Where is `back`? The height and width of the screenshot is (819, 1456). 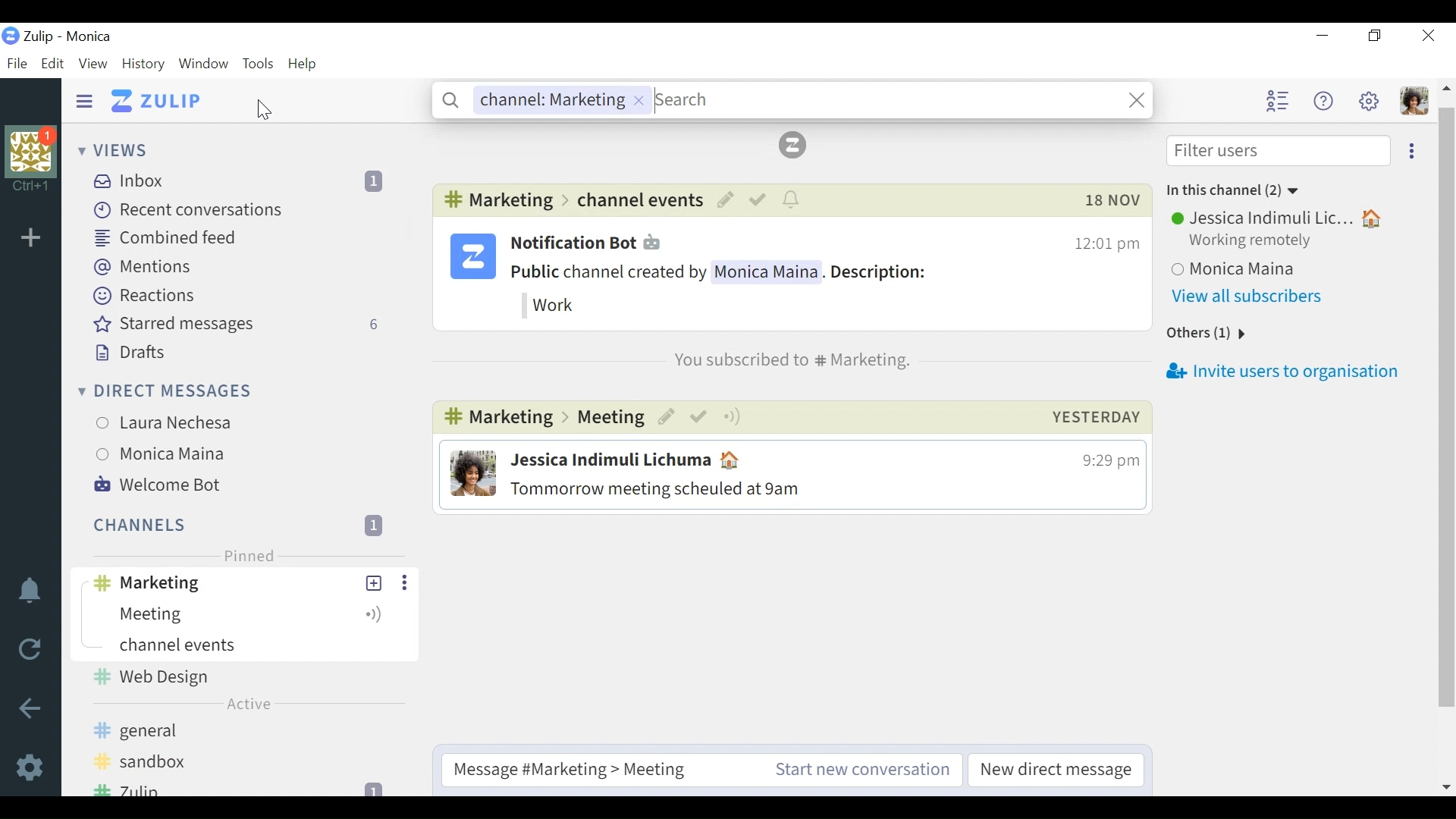
back is located at coordinates (33, 707).